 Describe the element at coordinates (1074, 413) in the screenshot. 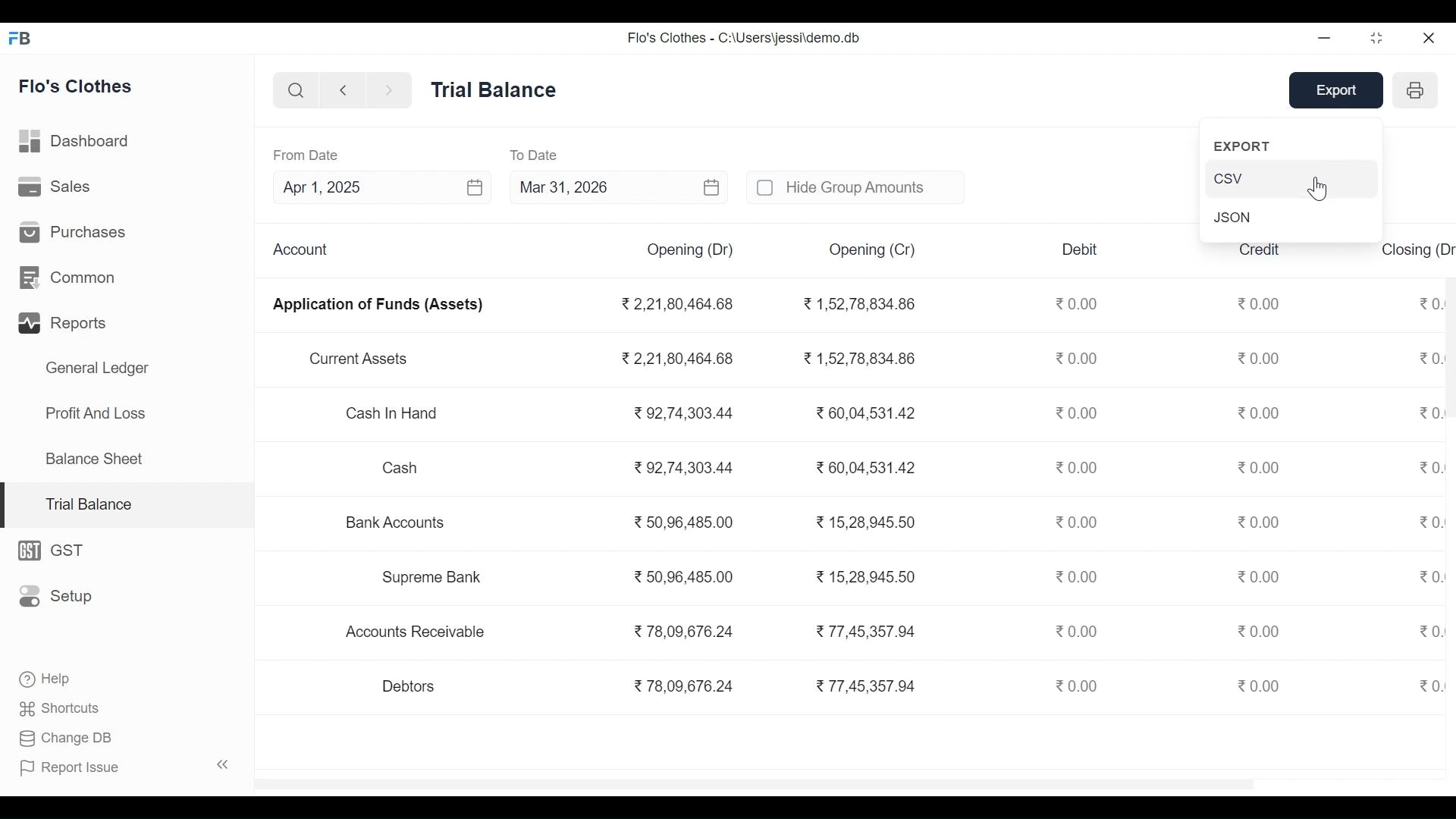

I see `0.00` at that location.